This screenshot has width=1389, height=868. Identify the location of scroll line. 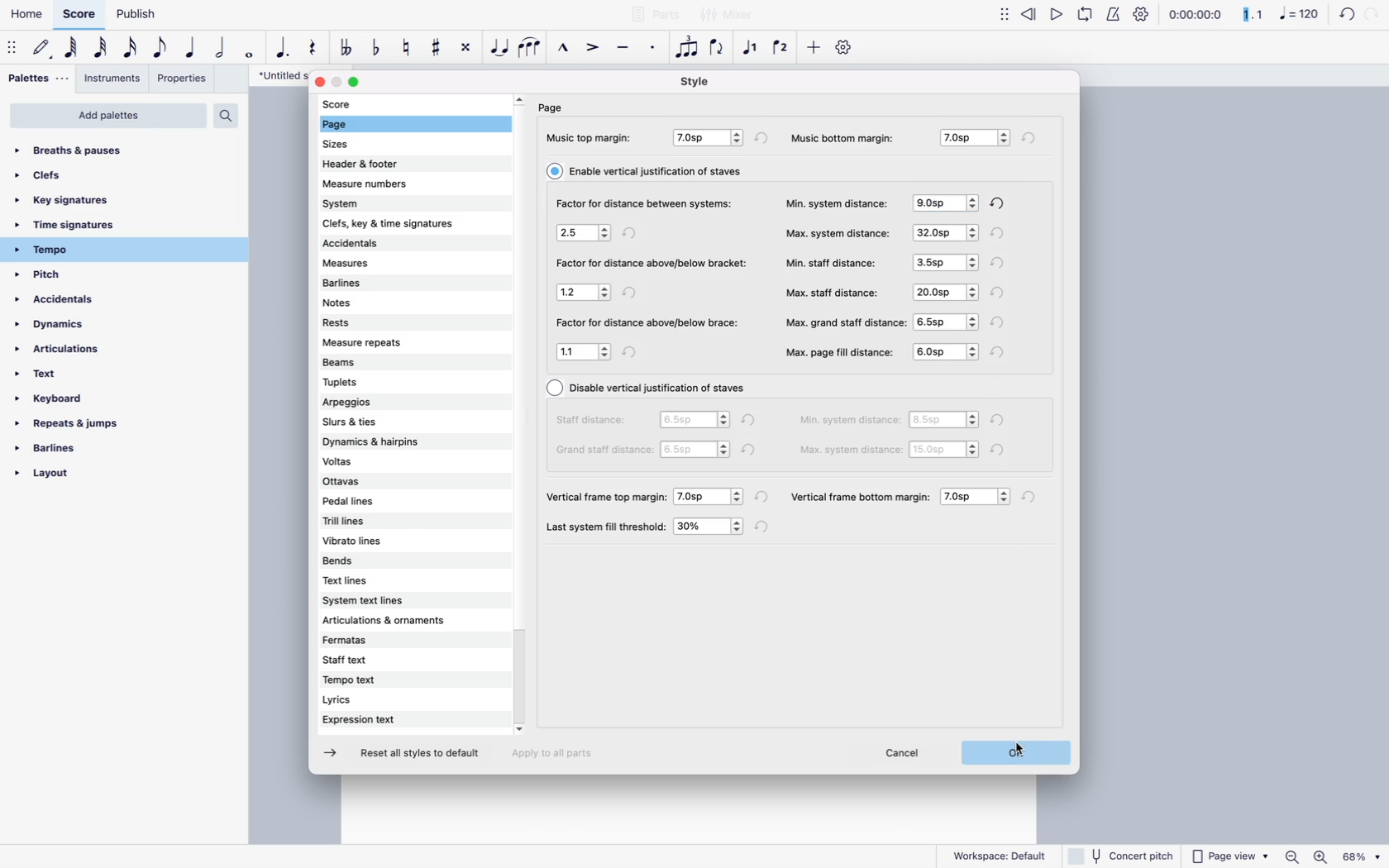
(519, 415).